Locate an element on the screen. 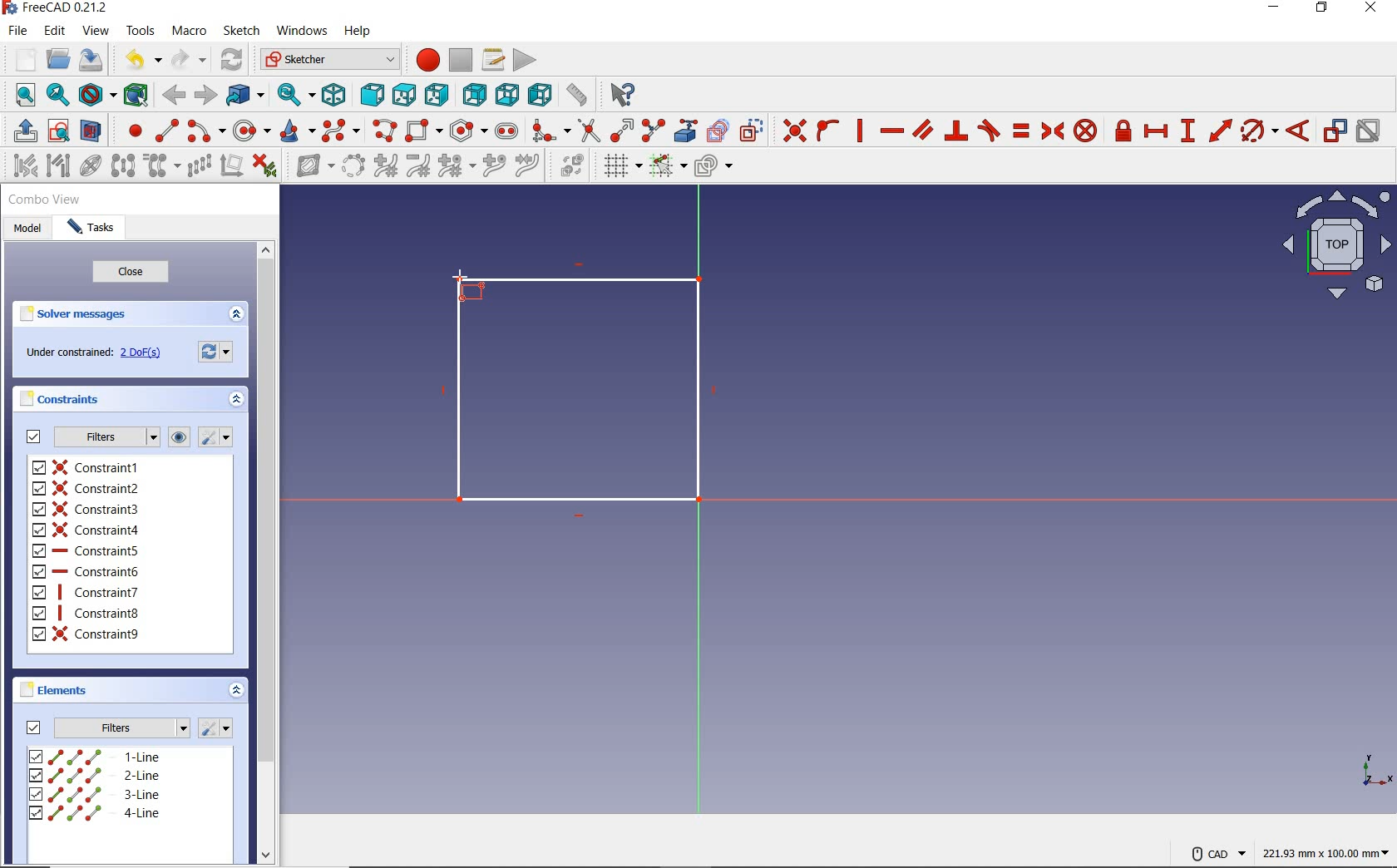  top is located at coordinates (405, 96).